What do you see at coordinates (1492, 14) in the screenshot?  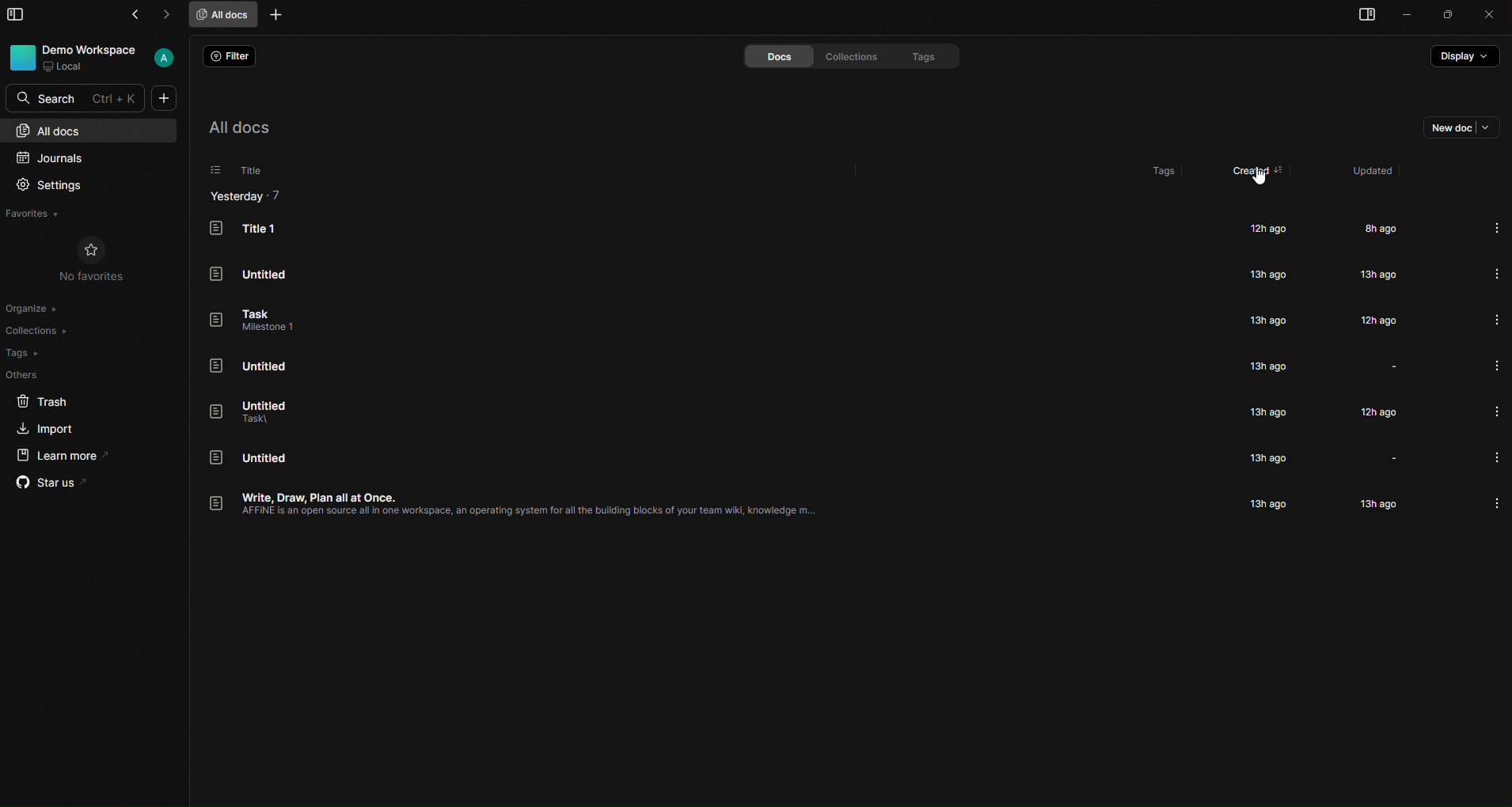 I see `close` at bounding box center [1492, 14].